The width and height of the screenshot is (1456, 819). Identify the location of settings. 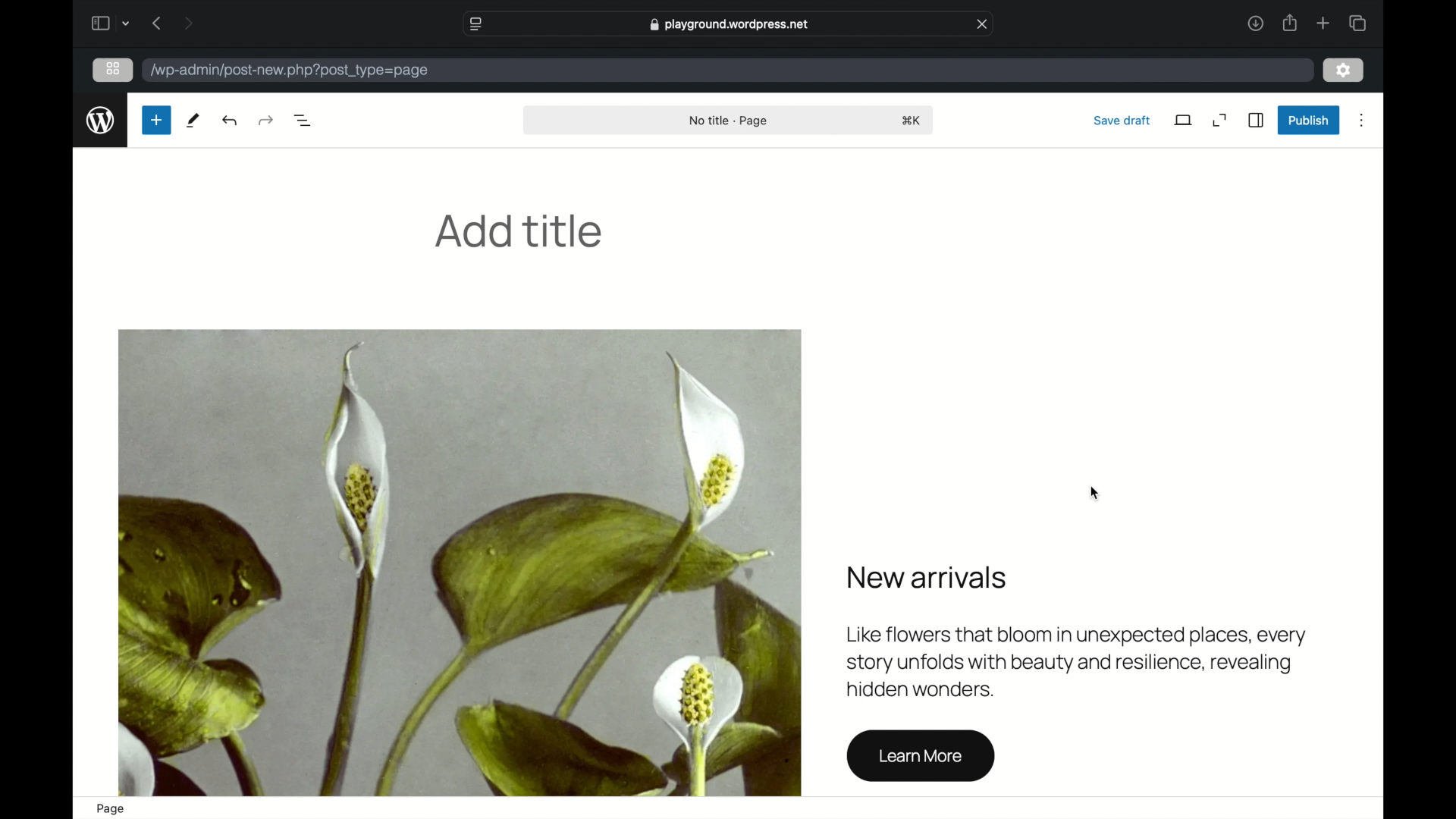
(1344, 71).